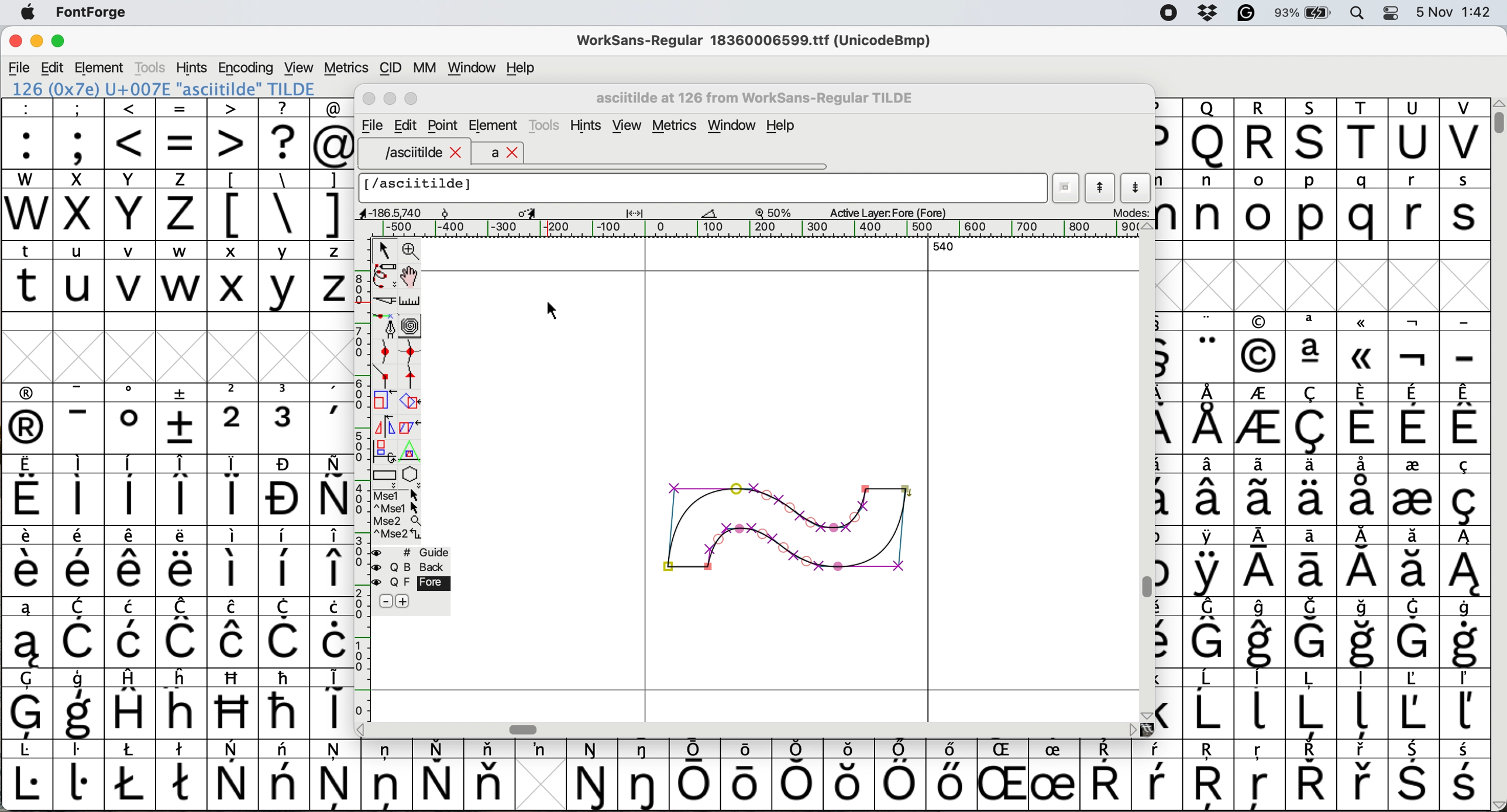 This screenshot has height=812, width=1507. Describe the element at coordinates (754, 43) in the screenshot. I see `WorkSans-Regular 18360006599.ttf (UnicodeBmp)` at that location.